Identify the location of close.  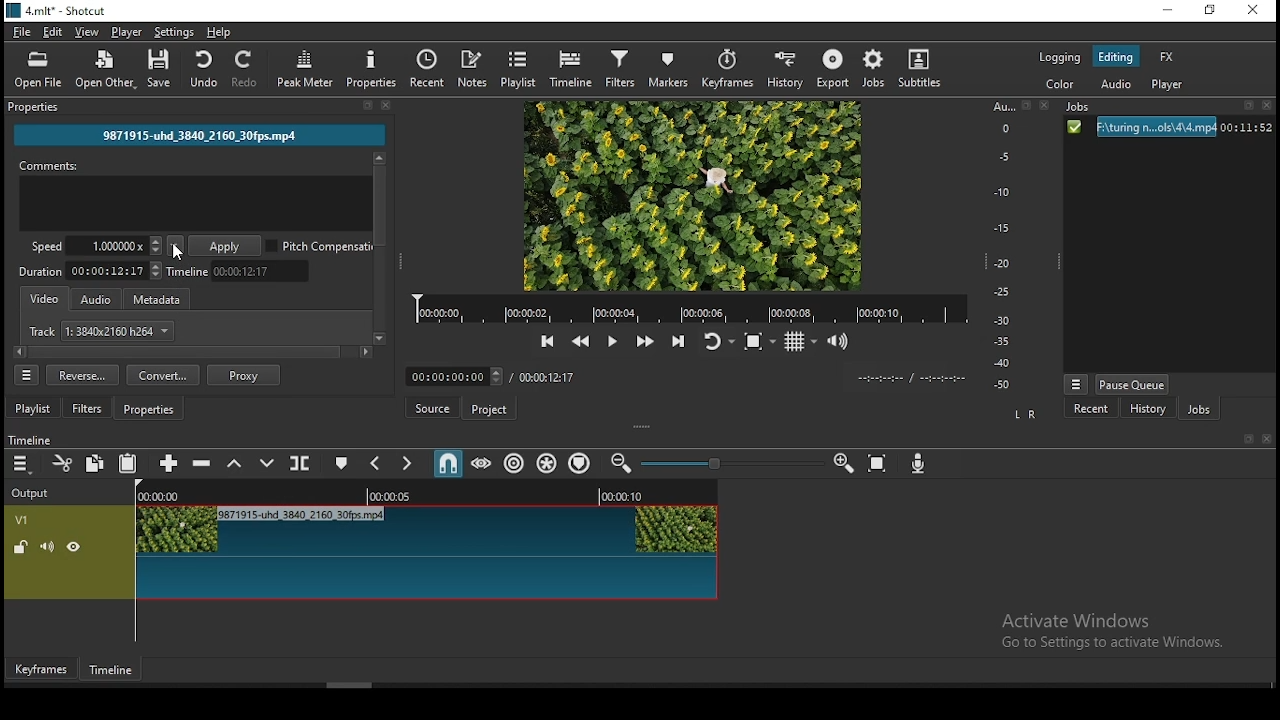
(1268, 439).